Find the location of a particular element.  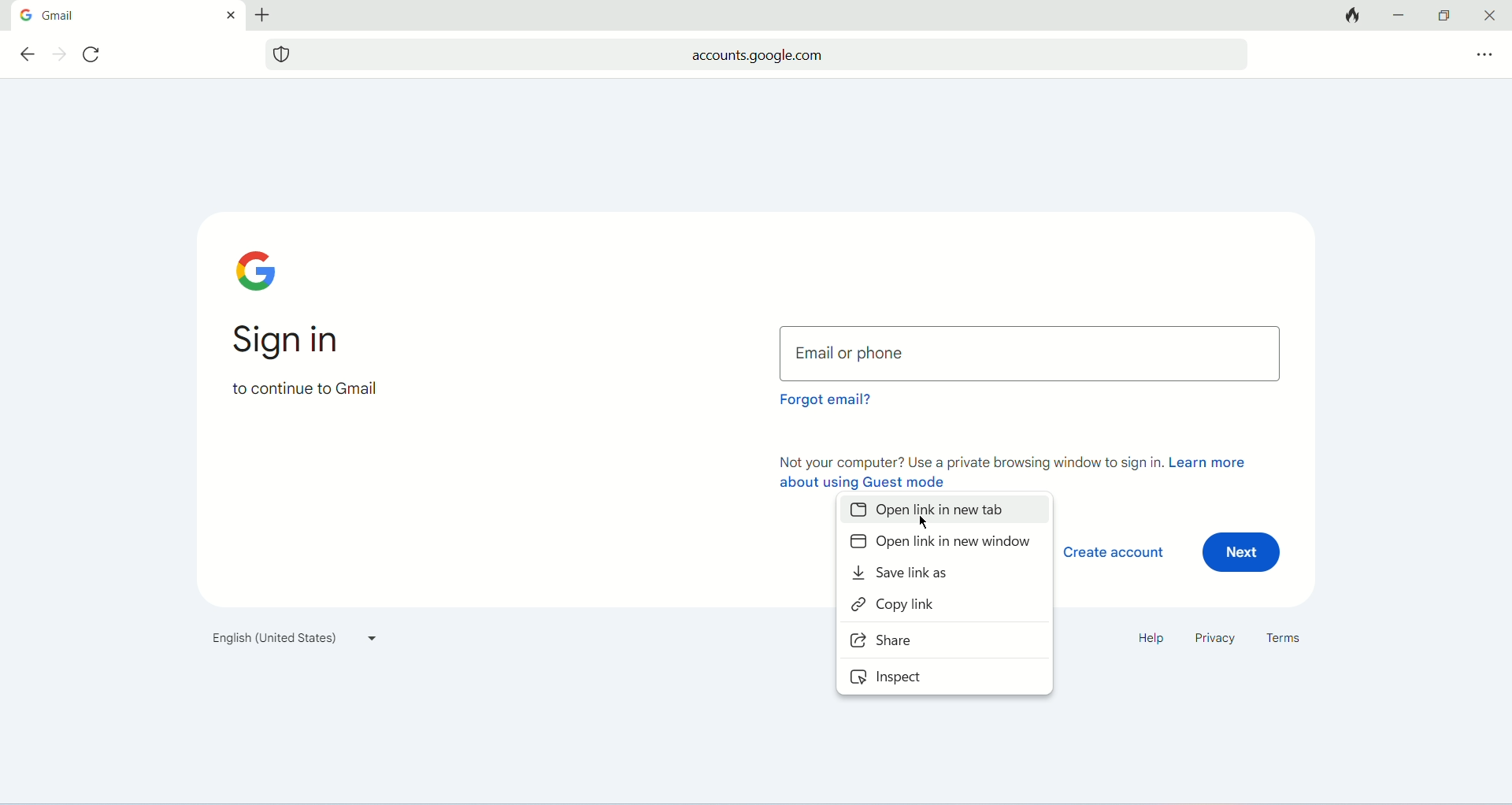

next is located at coordinates (1244, 553).